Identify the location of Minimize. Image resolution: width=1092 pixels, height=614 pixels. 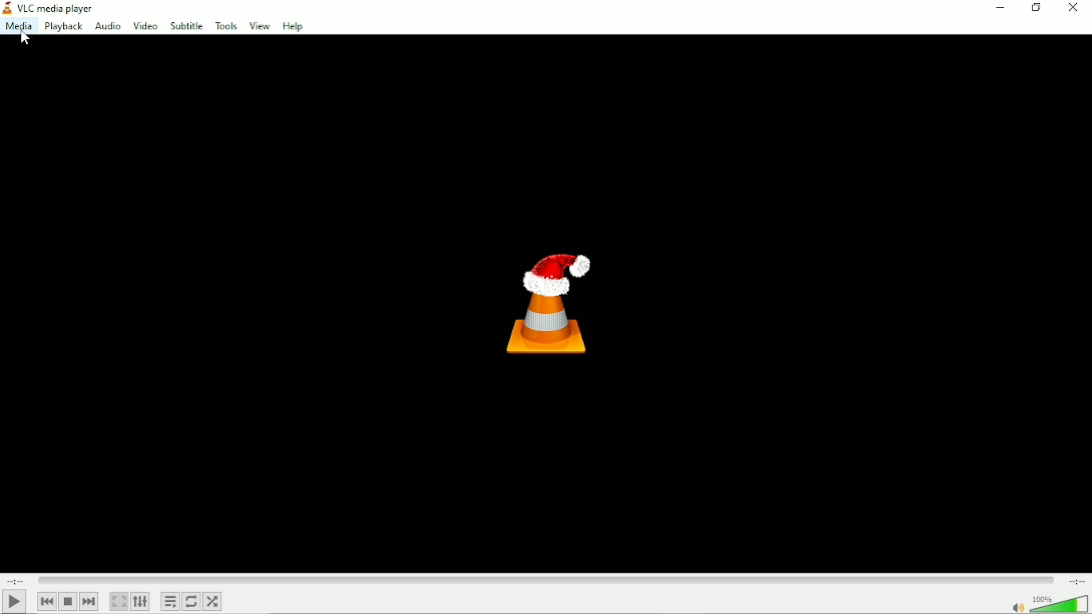
(999, 8).